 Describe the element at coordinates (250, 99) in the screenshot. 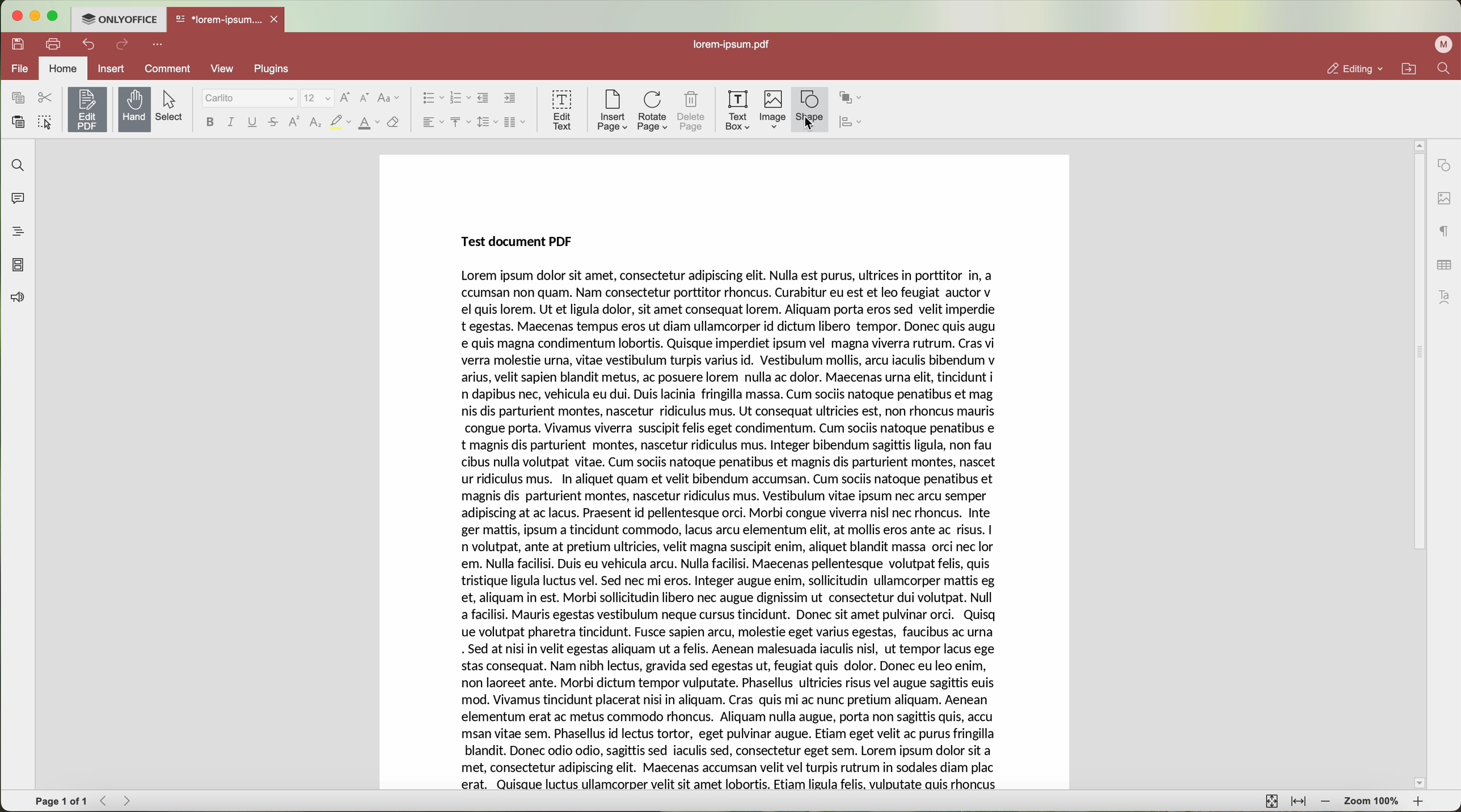

I see `font type` at that location.